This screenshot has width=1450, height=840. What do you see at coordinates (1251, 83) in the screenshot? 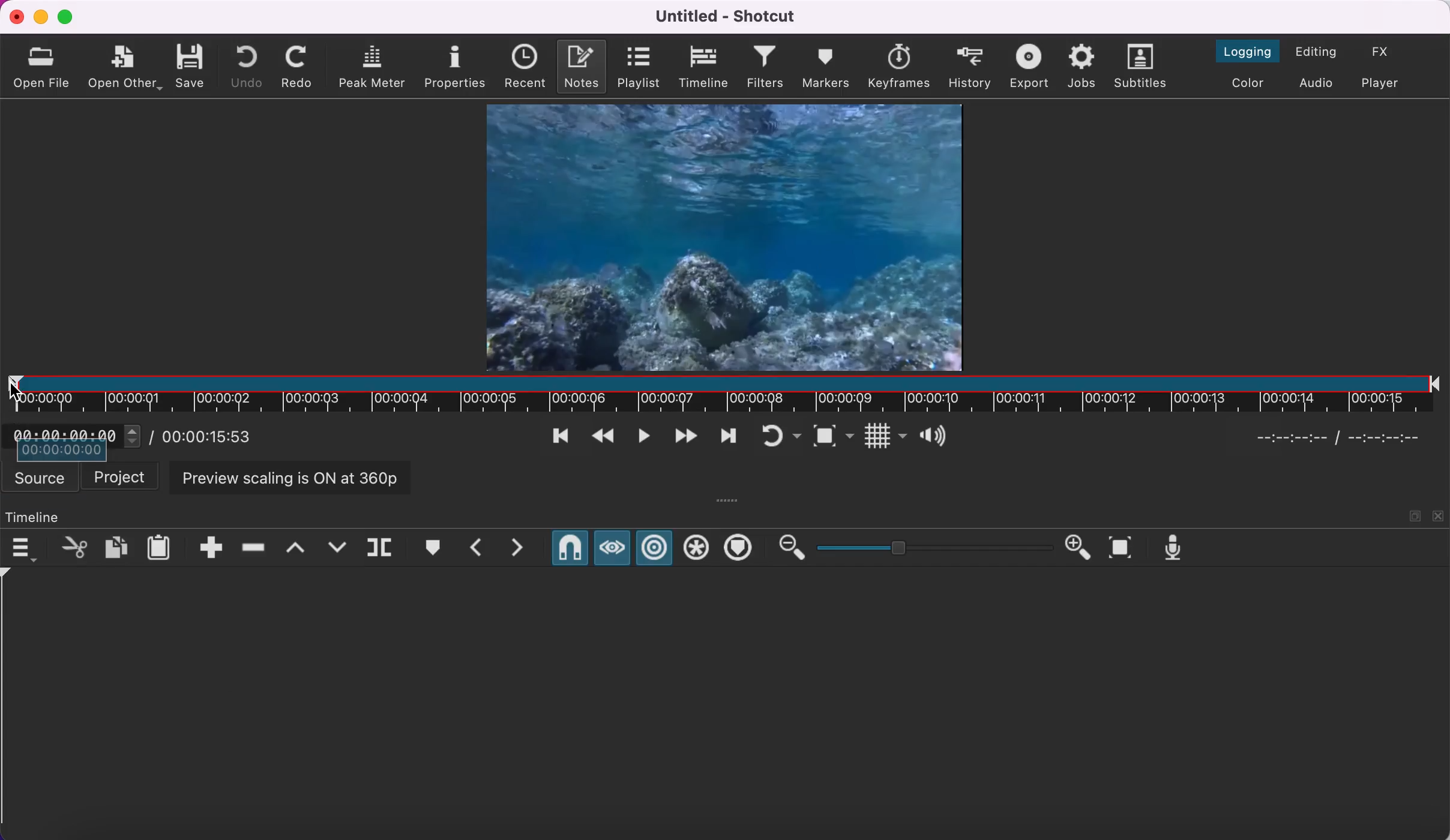
I see `switch to the color layout` at bounding box center [1251, 83].